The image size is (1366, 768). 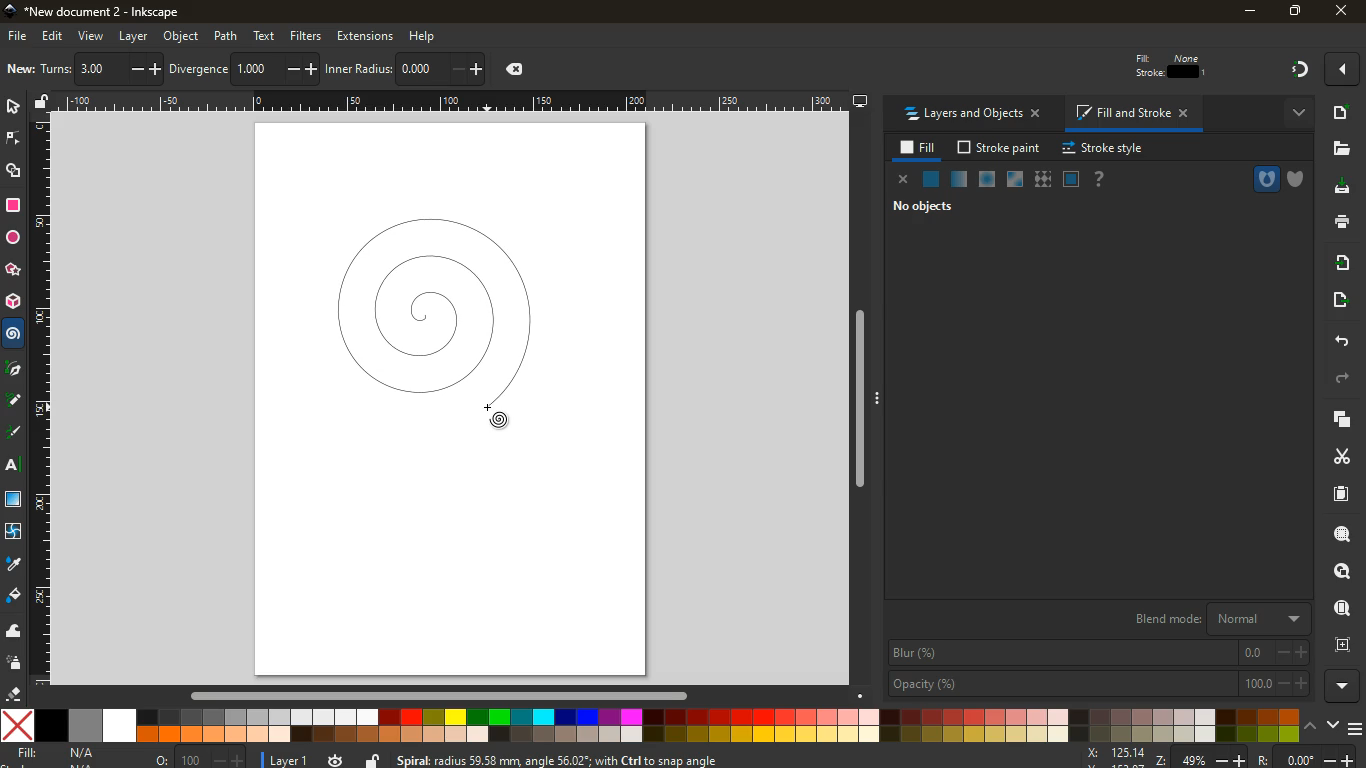 What do you see at coordinates (265, 35) in the screenshot?
I see `text` at bounding box center [265, 35].